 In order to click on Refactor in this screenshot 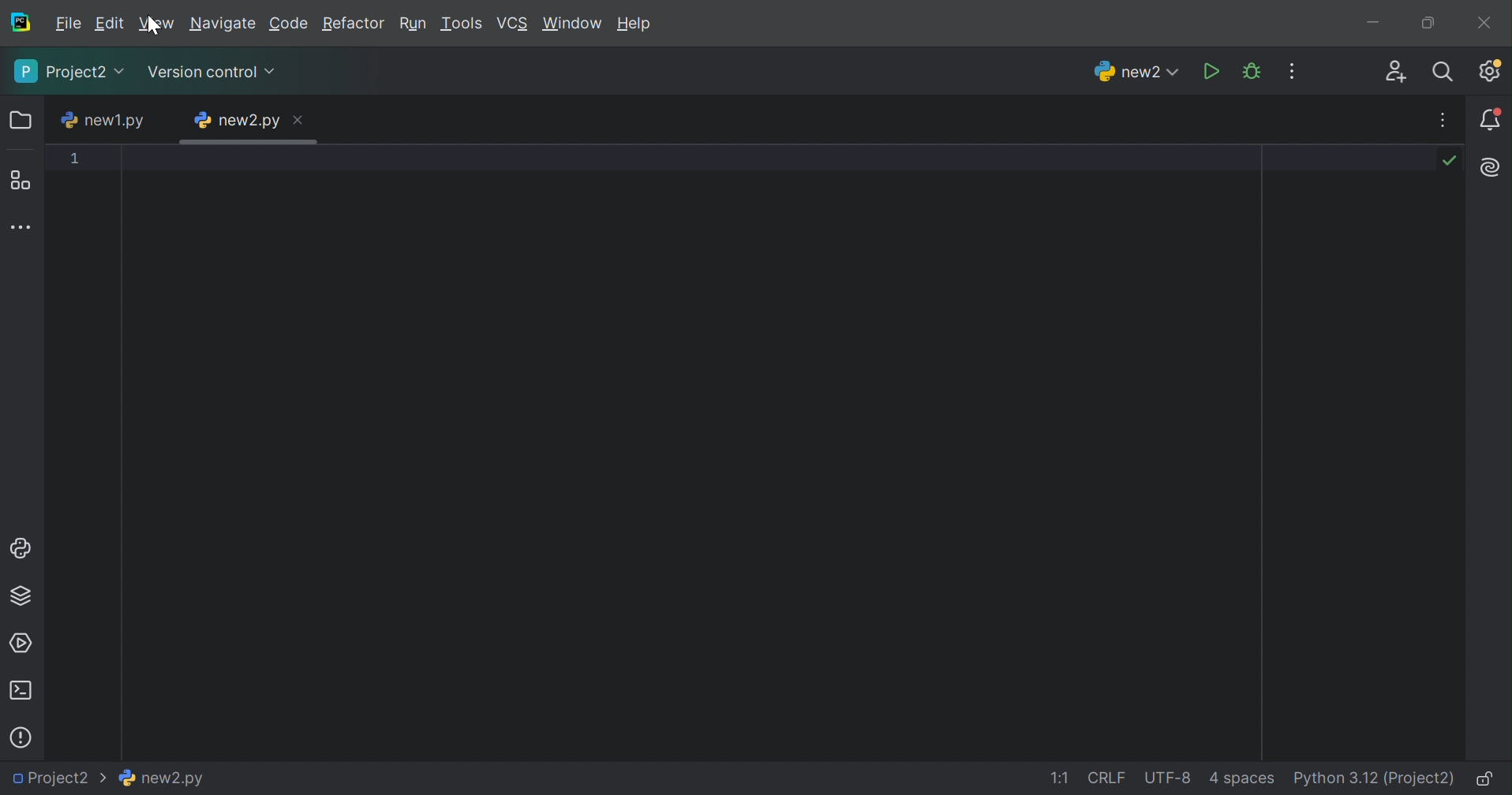, I will do `click(353, 23)`.